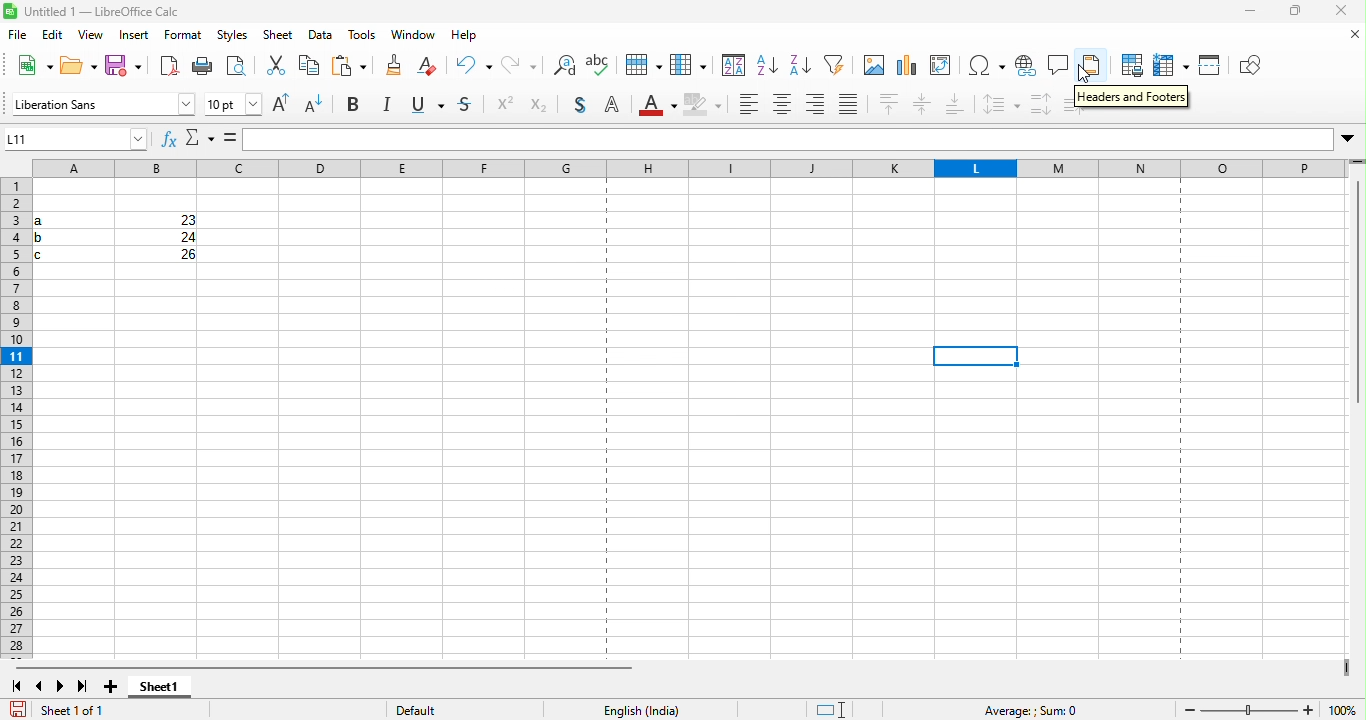 The height and width of the screenshot is (720, 1366). What do you see at coordinates (1025, 69) in the screenshot?
I see `hyperlink` at bounding box center [1025, 69].